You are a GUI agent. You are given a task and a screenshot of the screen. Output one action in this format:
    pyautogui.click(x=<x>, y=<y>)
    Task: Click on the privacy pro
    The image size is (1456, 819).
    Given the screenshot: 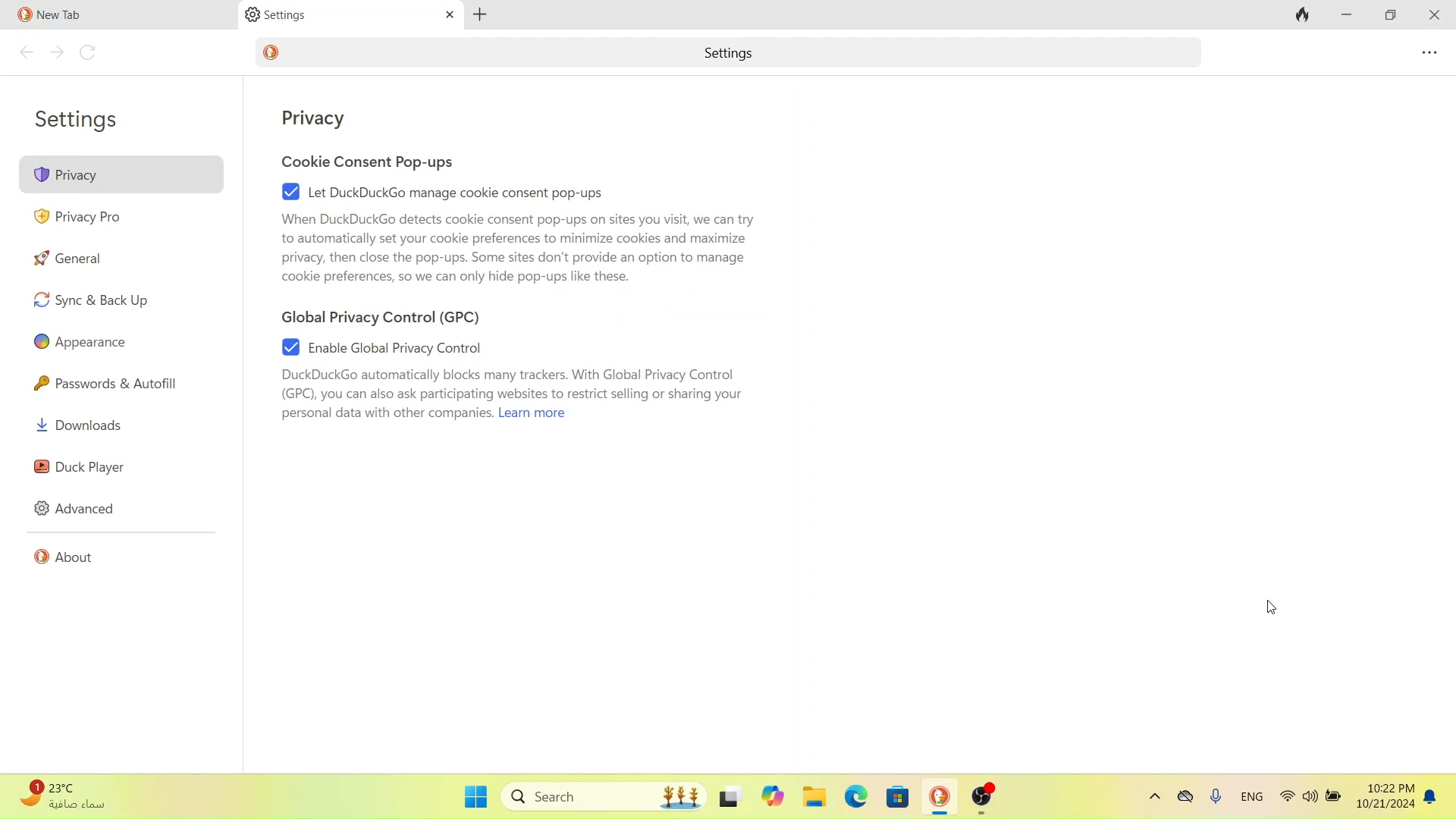 What is the action you would take?
    pyautogui.click(x=79, y=217)
    